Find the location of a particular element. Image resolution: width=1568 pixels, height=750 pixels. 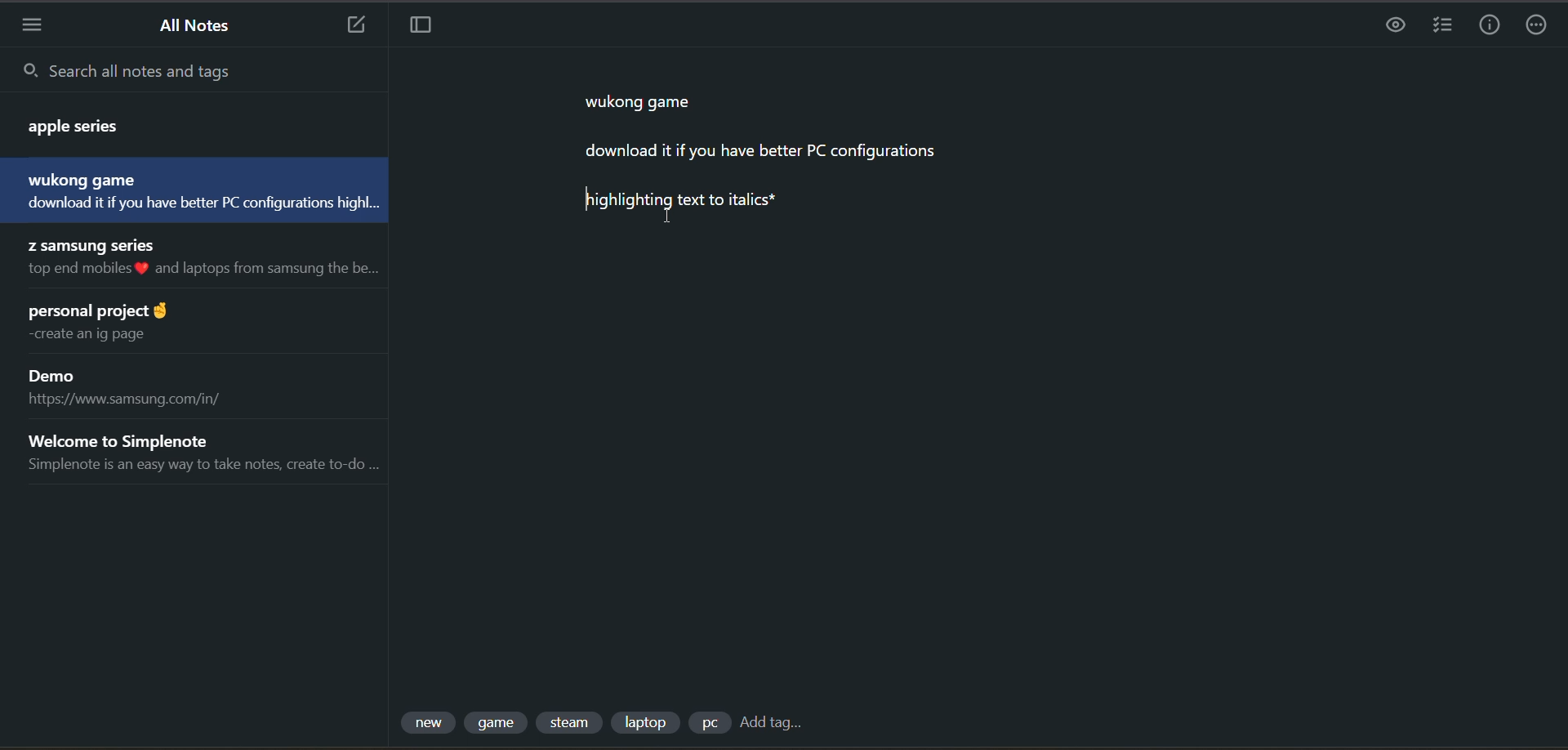

note title and preview is located at coordinates (143, 389).